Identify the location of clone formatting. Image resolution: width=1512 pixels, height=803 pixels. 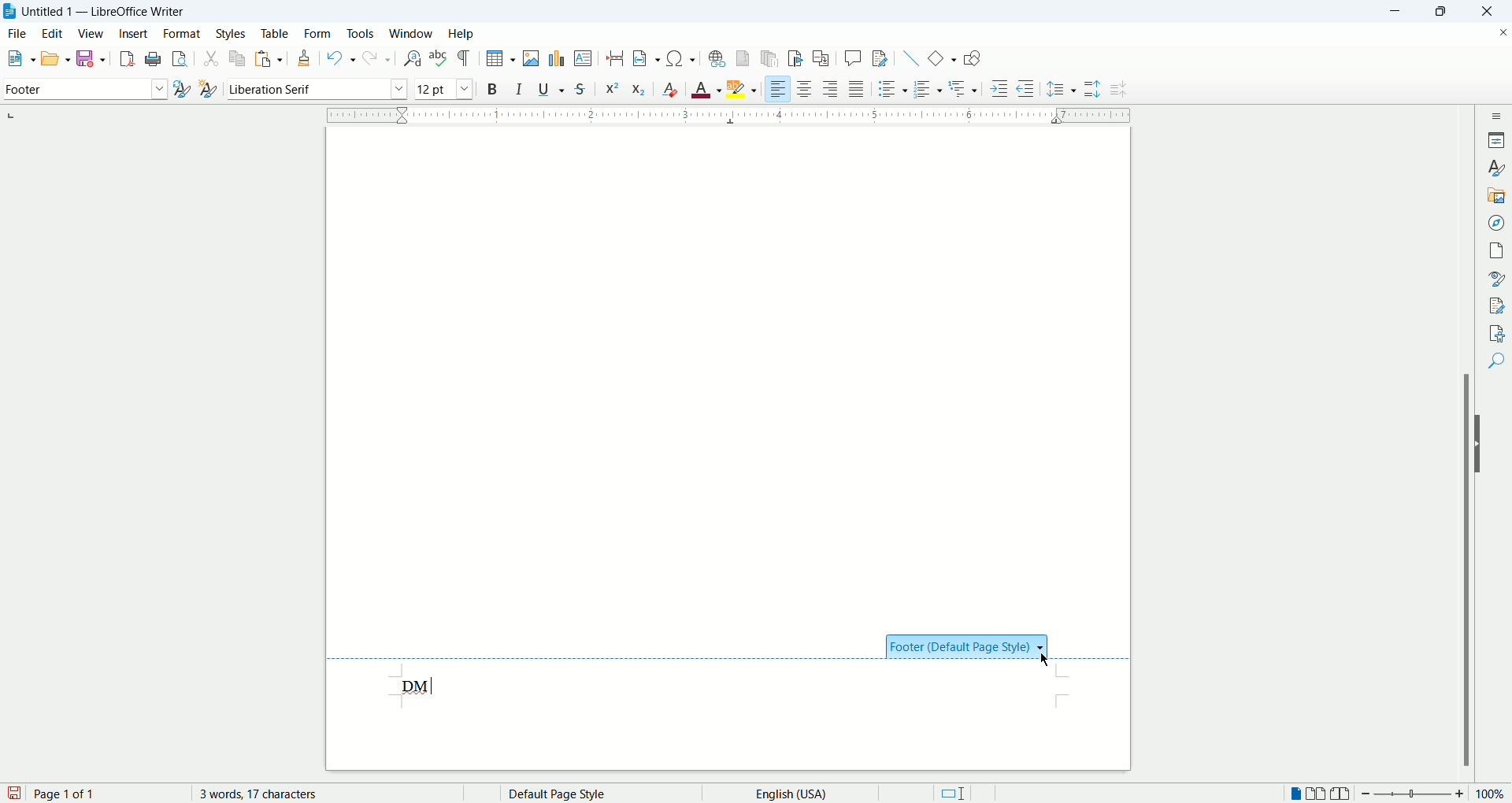
(306, 59).